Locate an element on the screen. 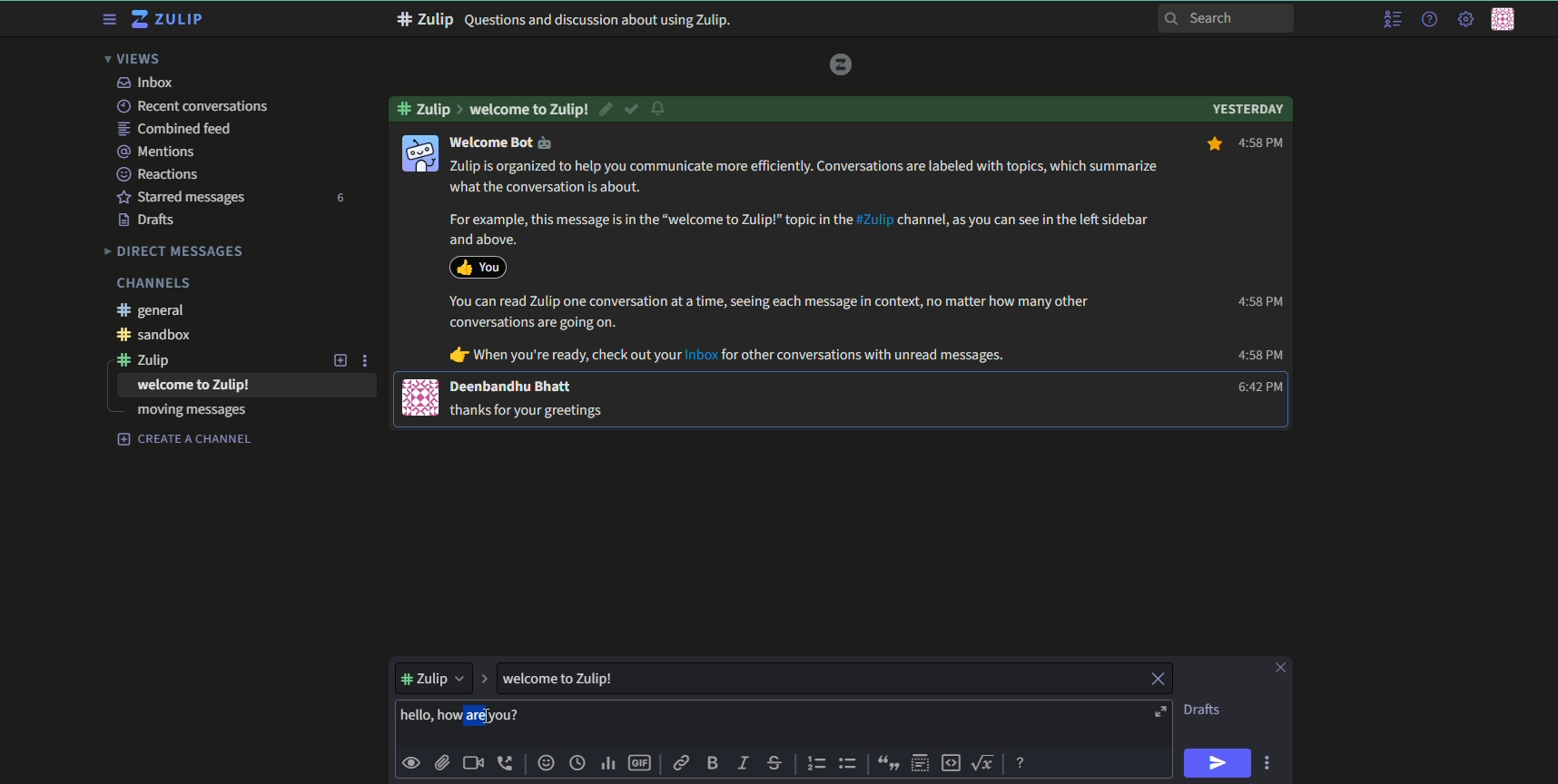 This screenshot has height=784, width=1558. dropdown is located at coordinates (432, 676).